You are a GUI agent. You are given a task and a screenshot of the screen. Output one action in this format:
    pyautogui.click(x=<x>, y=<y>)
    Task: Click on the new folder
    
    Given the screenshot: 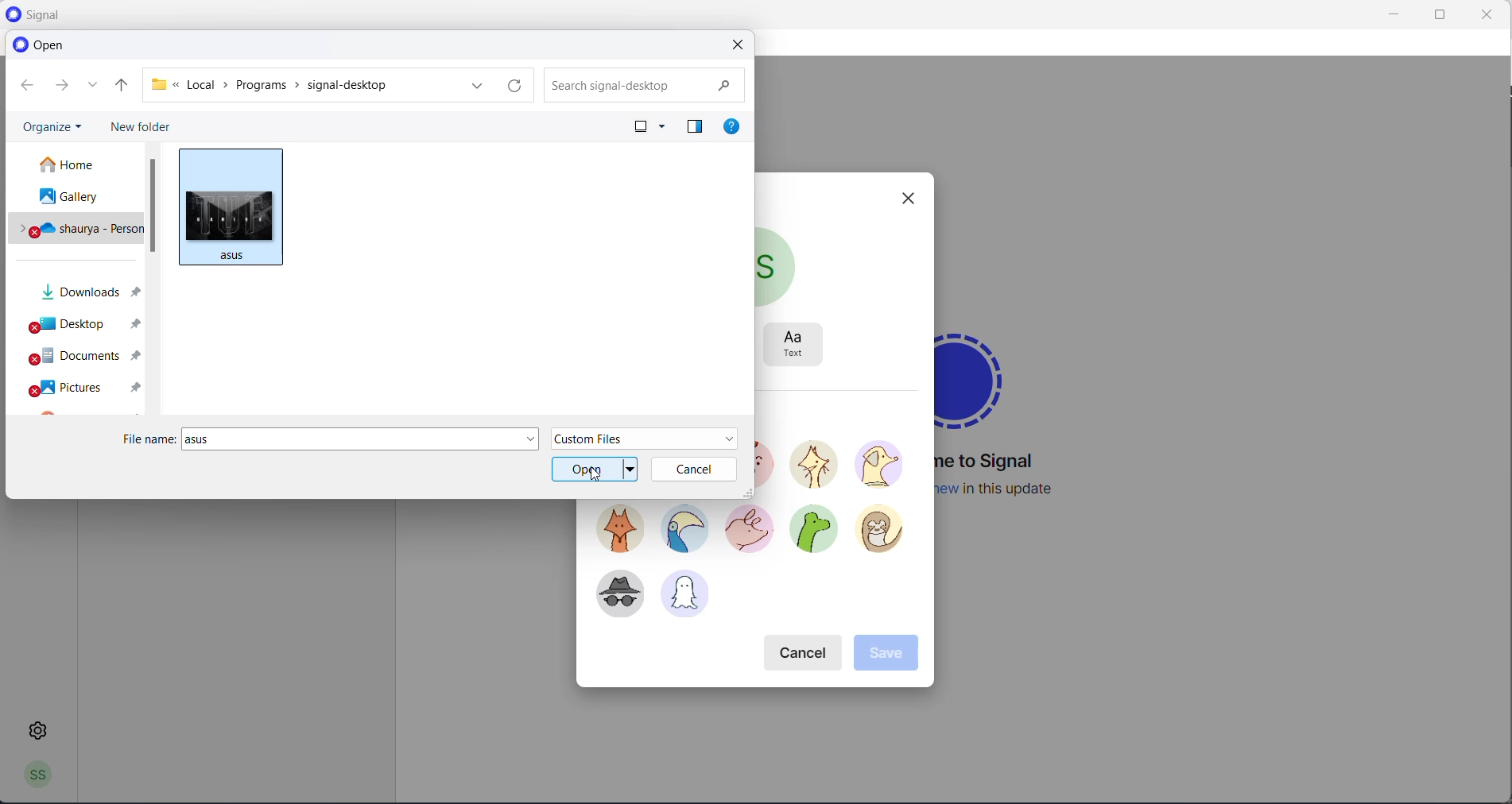 What is the action you would take?
    pyautogui.click(x=139, y=127)
    